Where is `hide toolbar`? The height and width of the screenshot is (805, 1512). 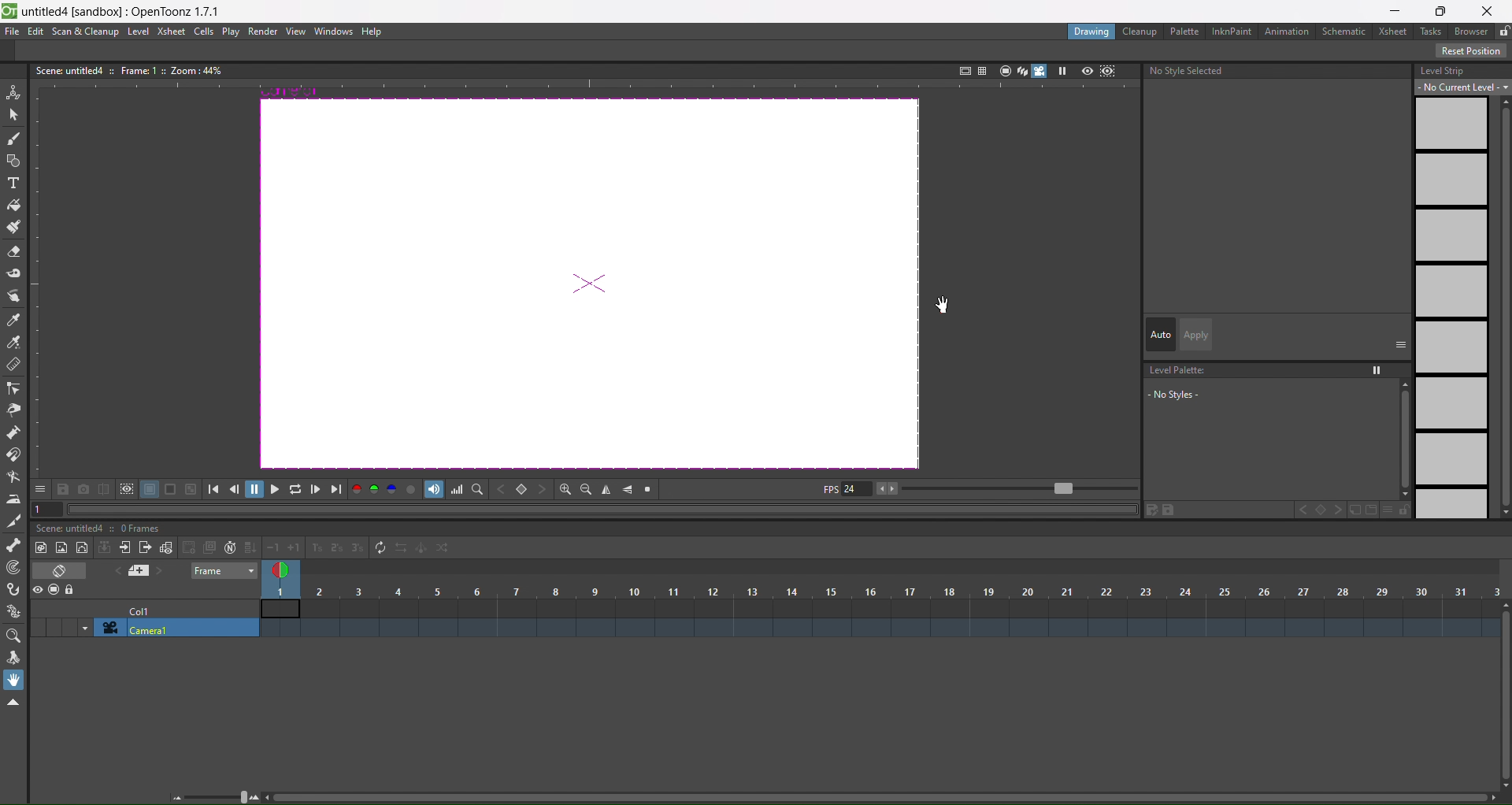 hide toolbar is located at coordinates (13, 703).